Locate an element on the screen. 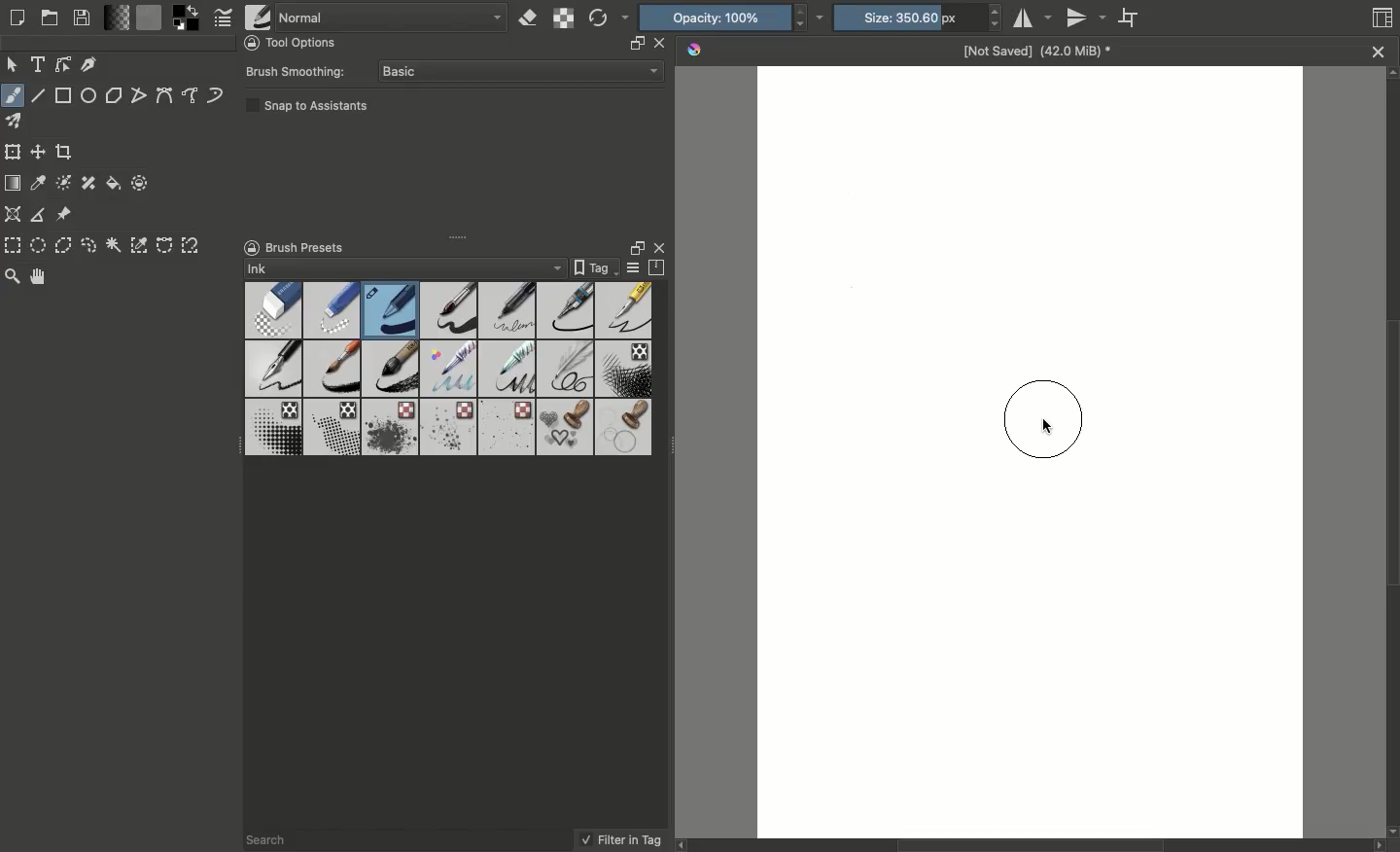 The width and height of the screenshot is (1400, 852). Choose brush preset is located at coordinates (258, 18).